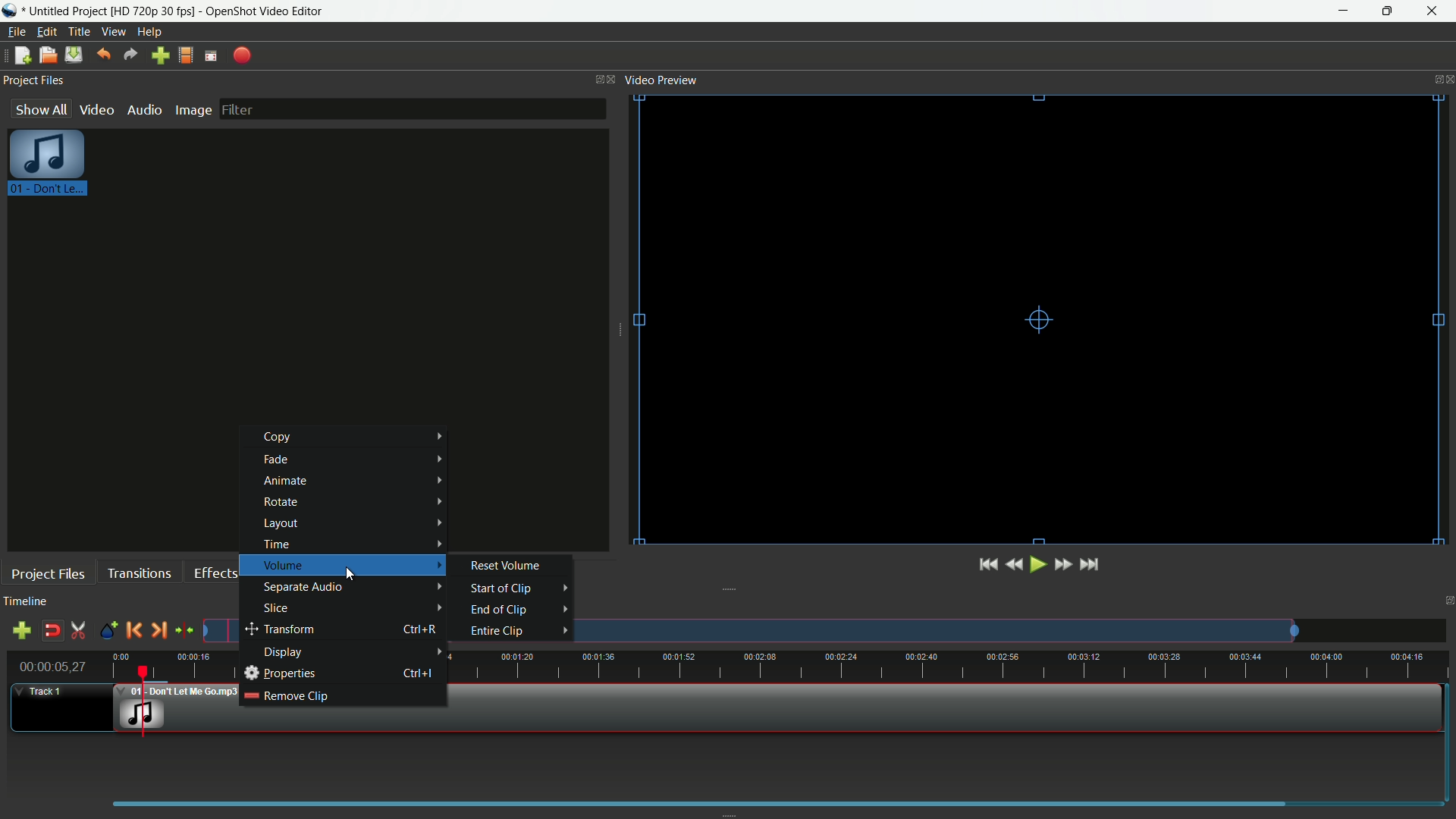 This screenshot has width=1456, height=819. What do you see at coordinates (287, 695) in the screenshot?
I see `remove clip` at bounding box center [287, 695].